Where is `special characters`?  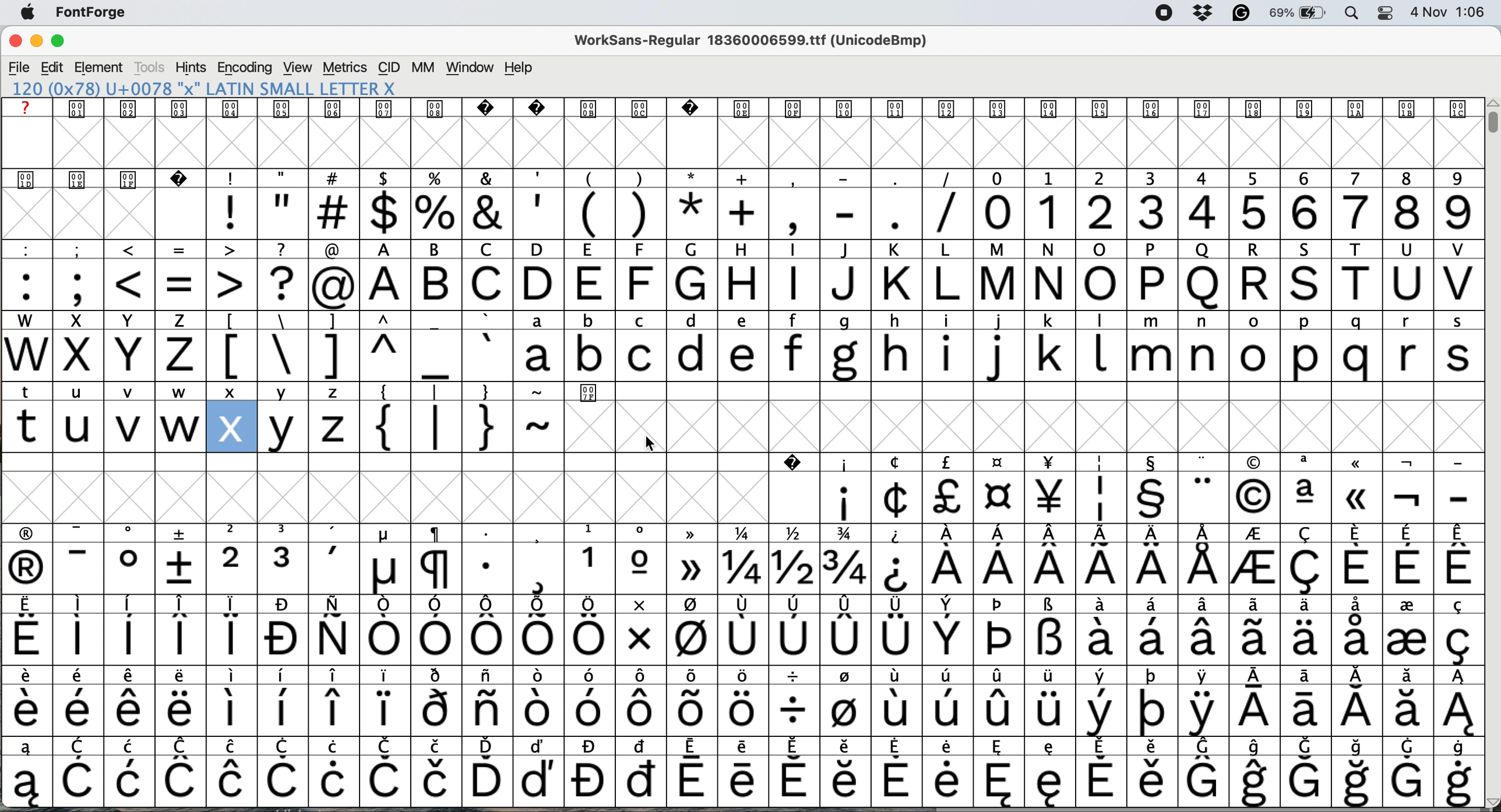 special characters is located at coordinates (180, 284).